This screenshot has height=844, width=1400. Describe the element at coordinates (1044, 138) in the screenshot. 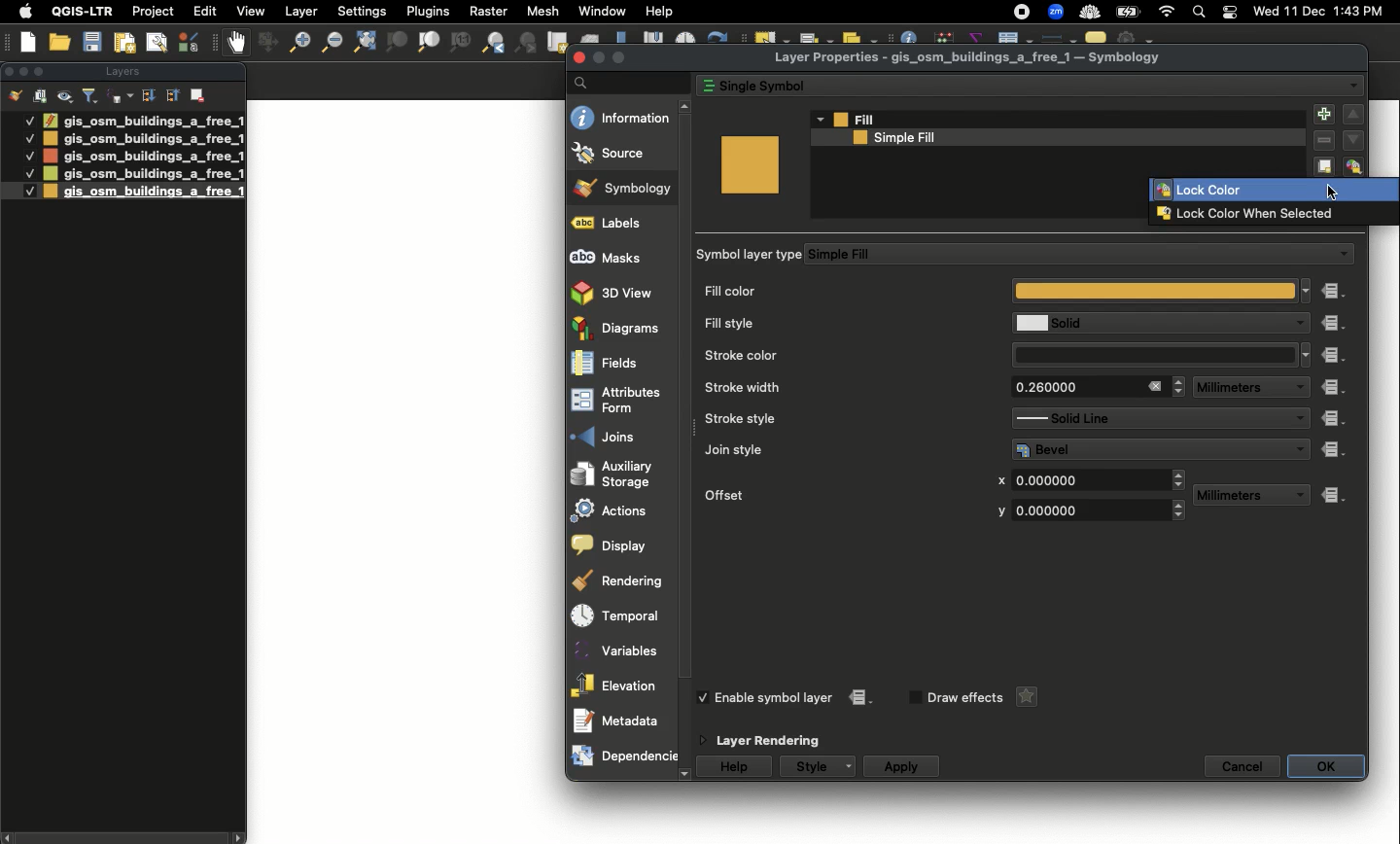

I see `Simple fill` at that location.